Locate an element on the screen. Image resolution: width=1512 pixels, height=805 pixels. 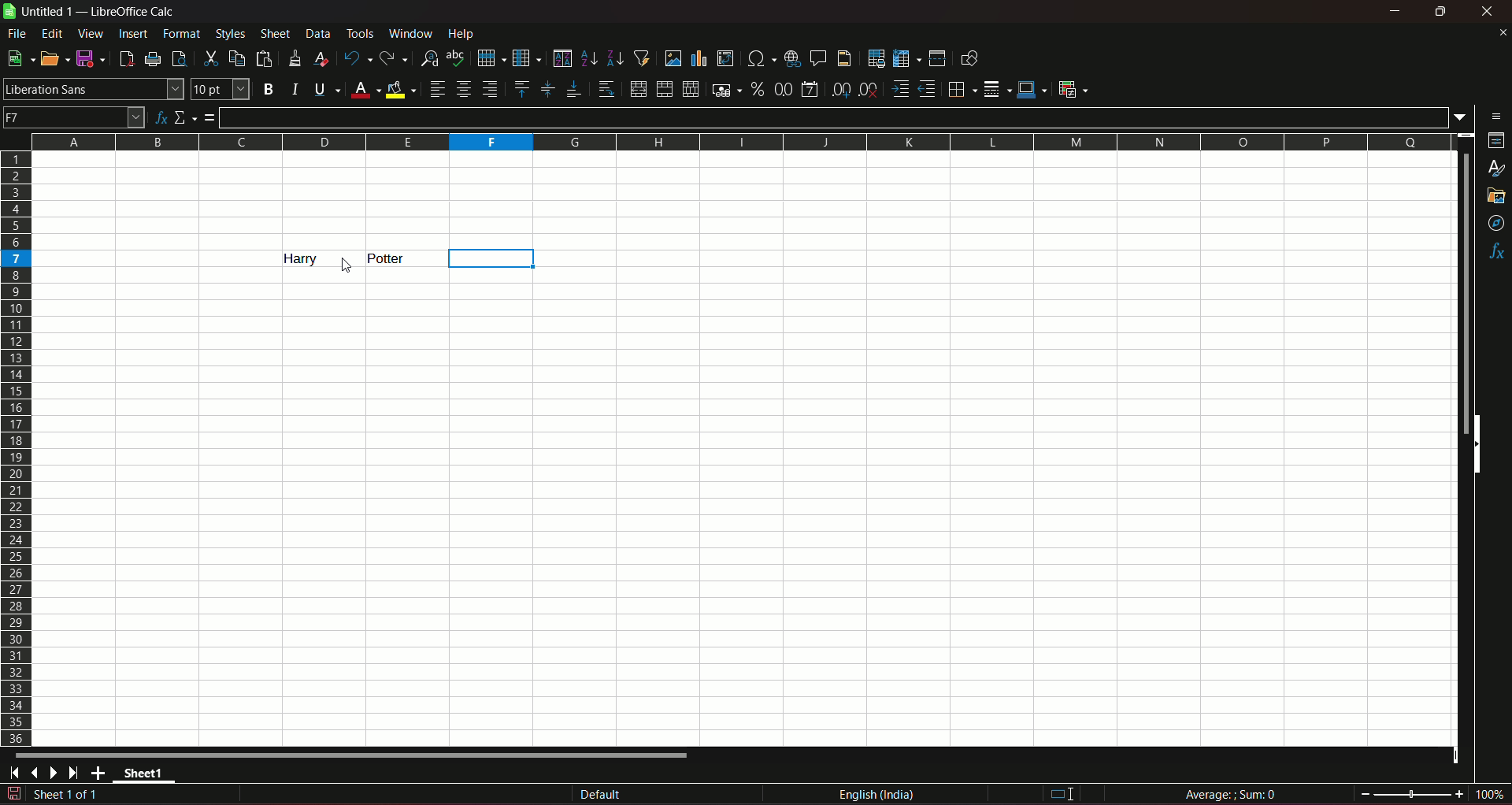
font name is located at coordinates (93, 88).